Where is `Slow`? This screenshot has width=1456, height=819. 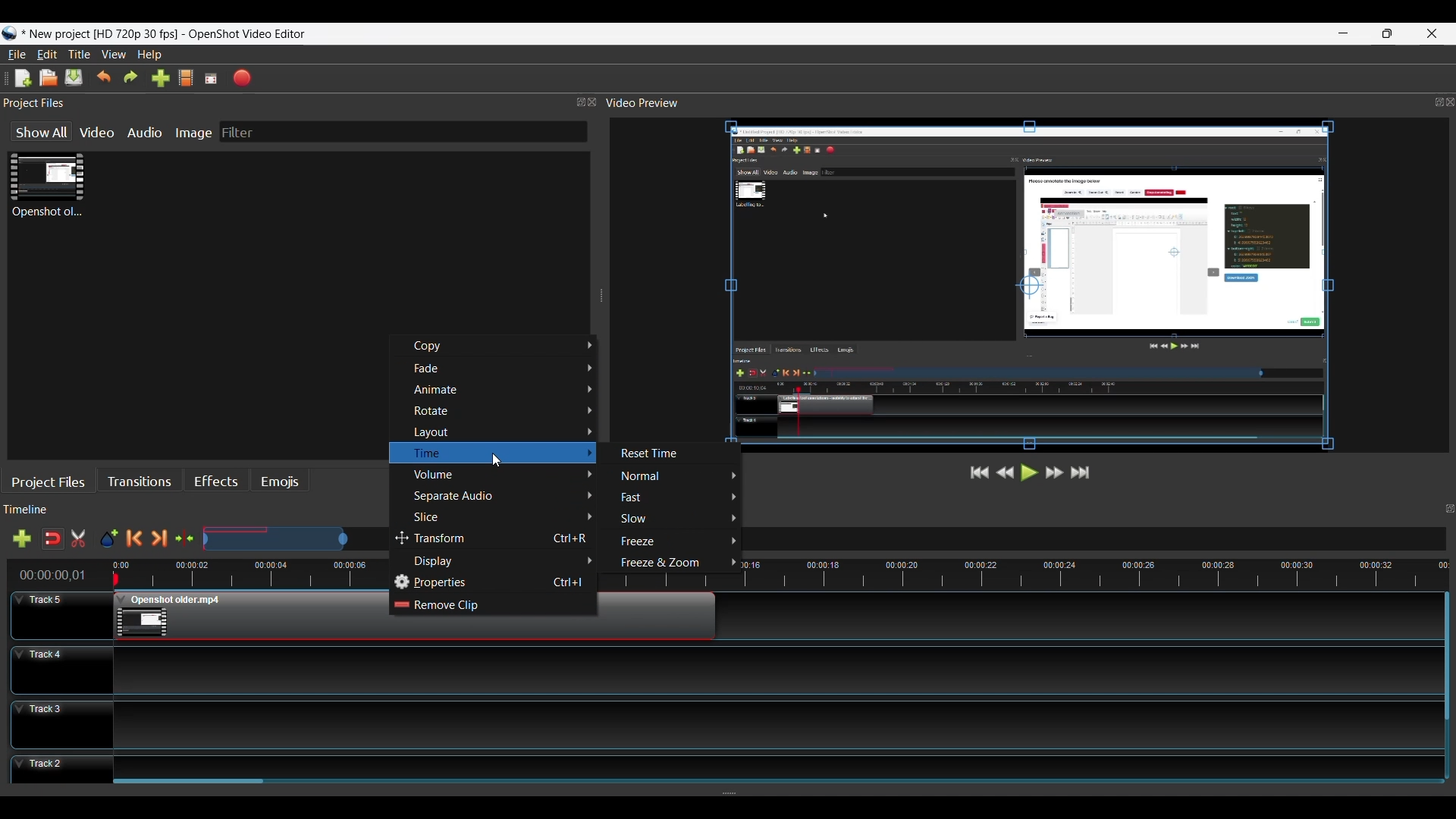 Slow is located at coordinates (674, 519).